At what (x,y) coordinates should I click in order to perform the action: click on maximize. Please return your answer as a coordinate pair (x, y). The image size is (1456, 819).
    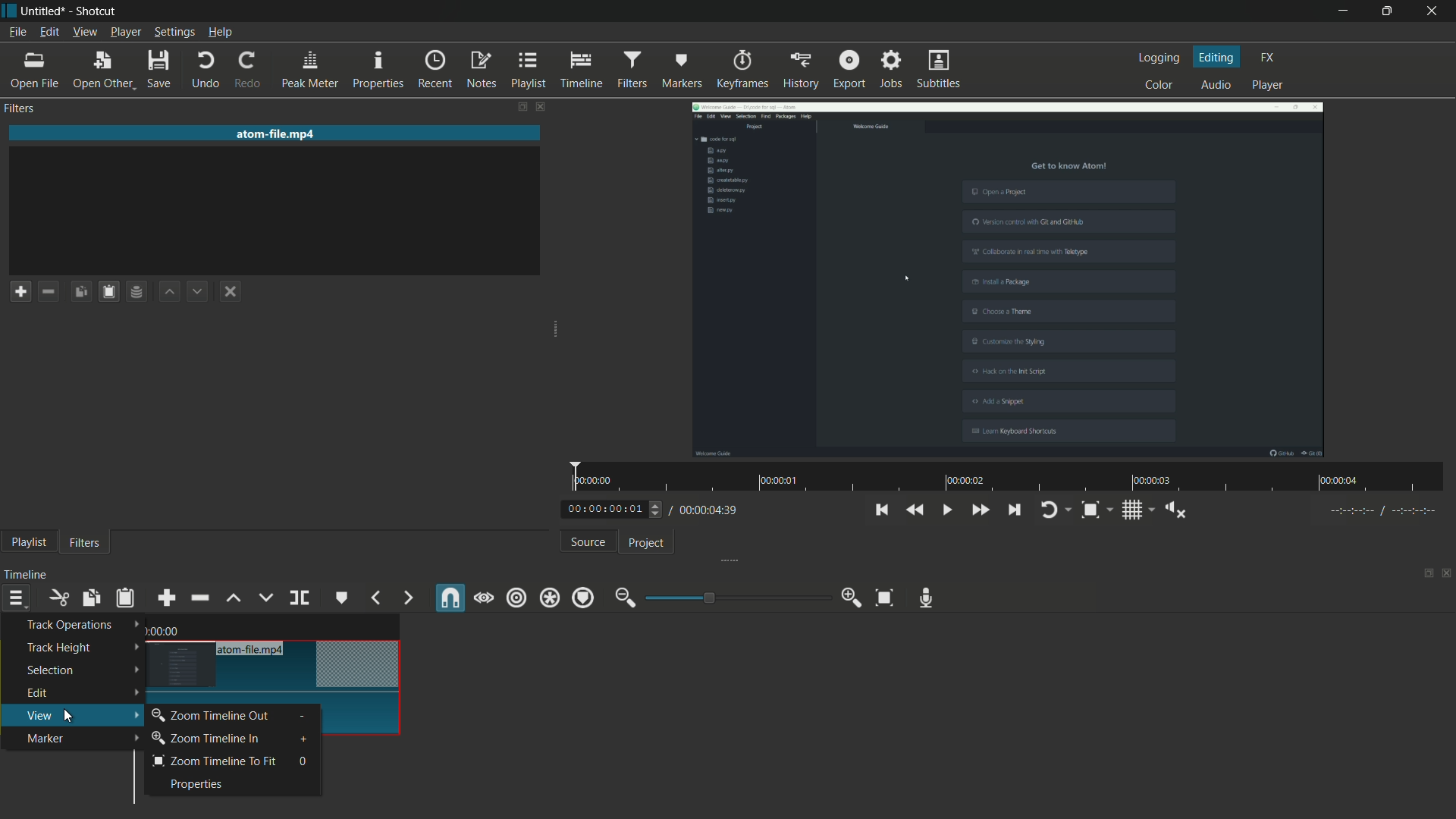
    Looking at the image, I should click on (1384, 11).